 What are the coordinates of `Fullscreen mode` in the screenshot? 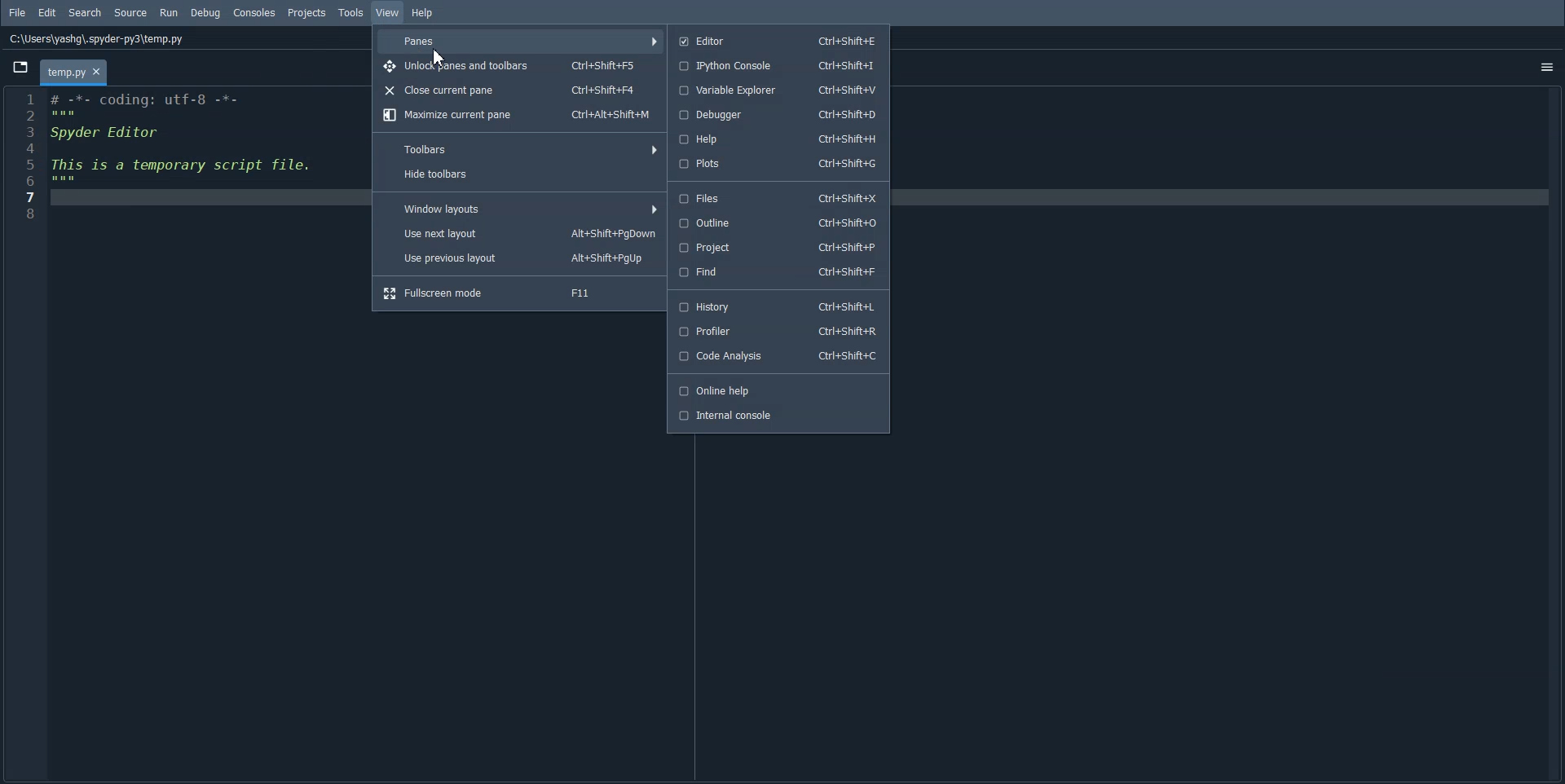 It's located at (519, 293).